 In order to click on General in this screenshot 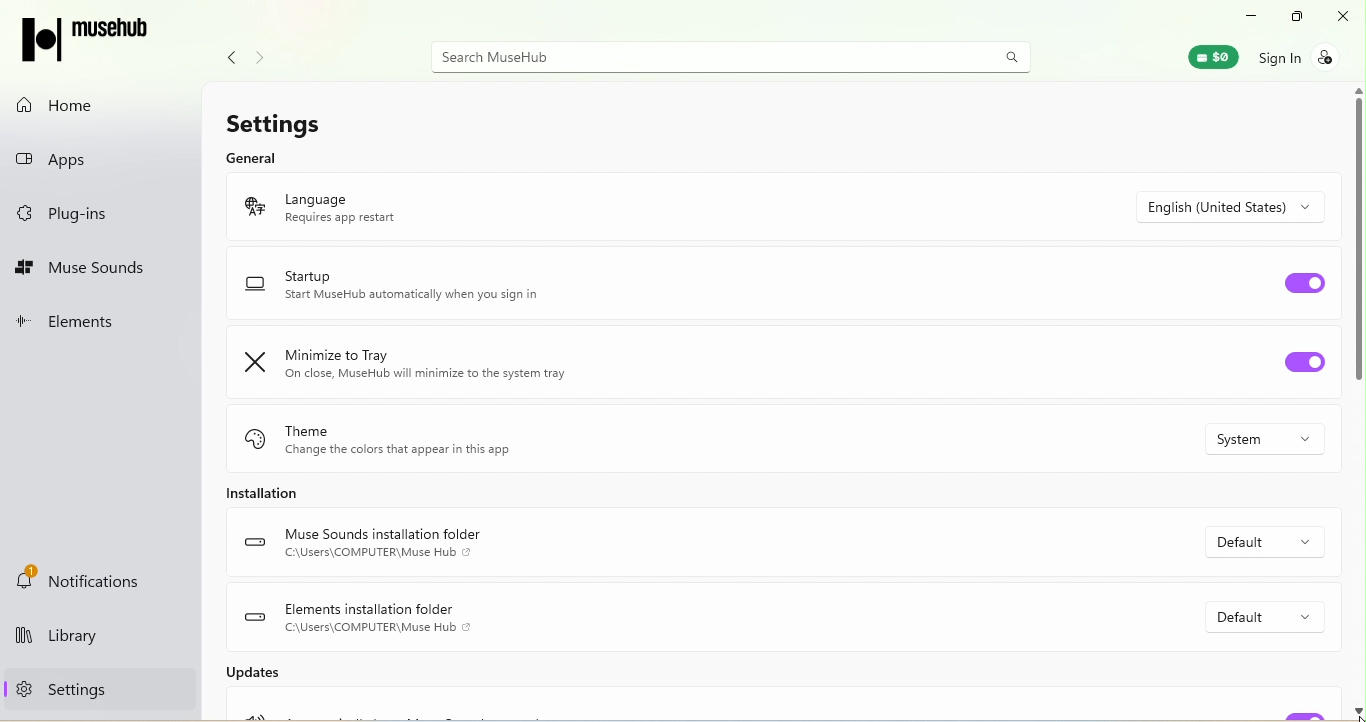, I will do `click(267, 156)`.